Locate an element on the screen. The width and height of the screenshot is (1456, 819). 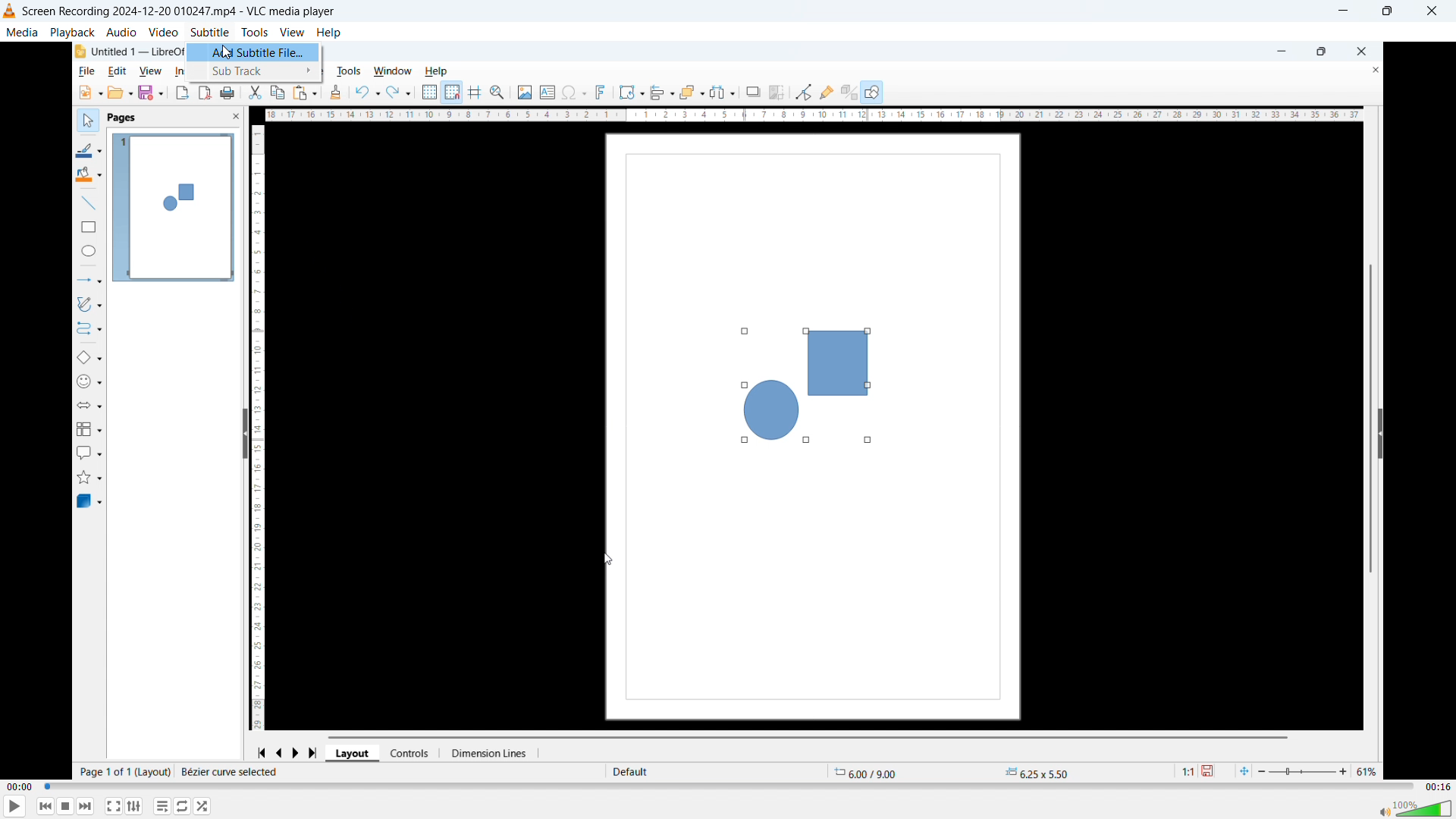
bezier curve selected is located at coordinates (230, 772).